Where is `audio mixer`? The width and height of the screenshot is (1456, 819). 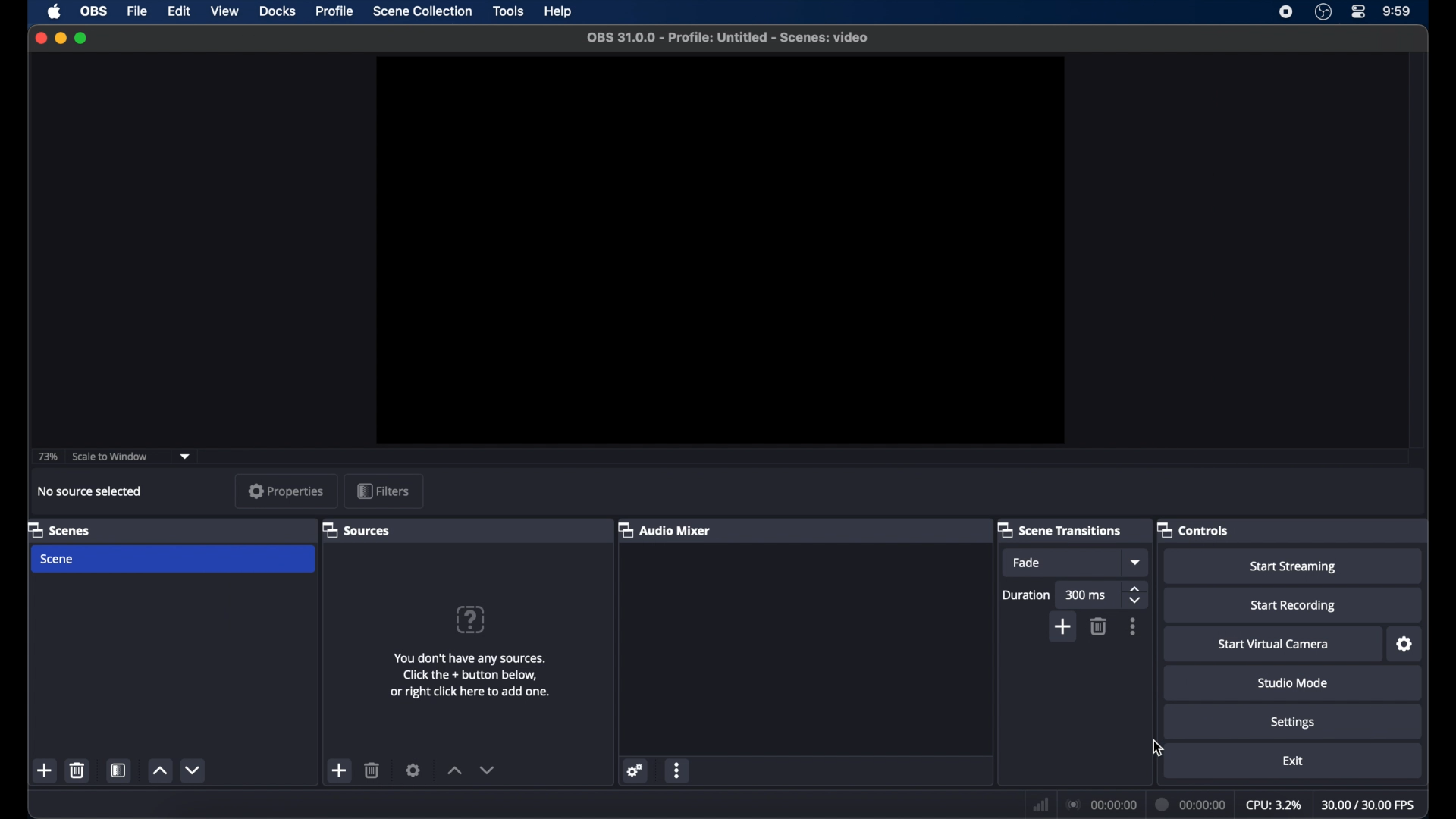 audio mixer is located at coordinates (665, 529).